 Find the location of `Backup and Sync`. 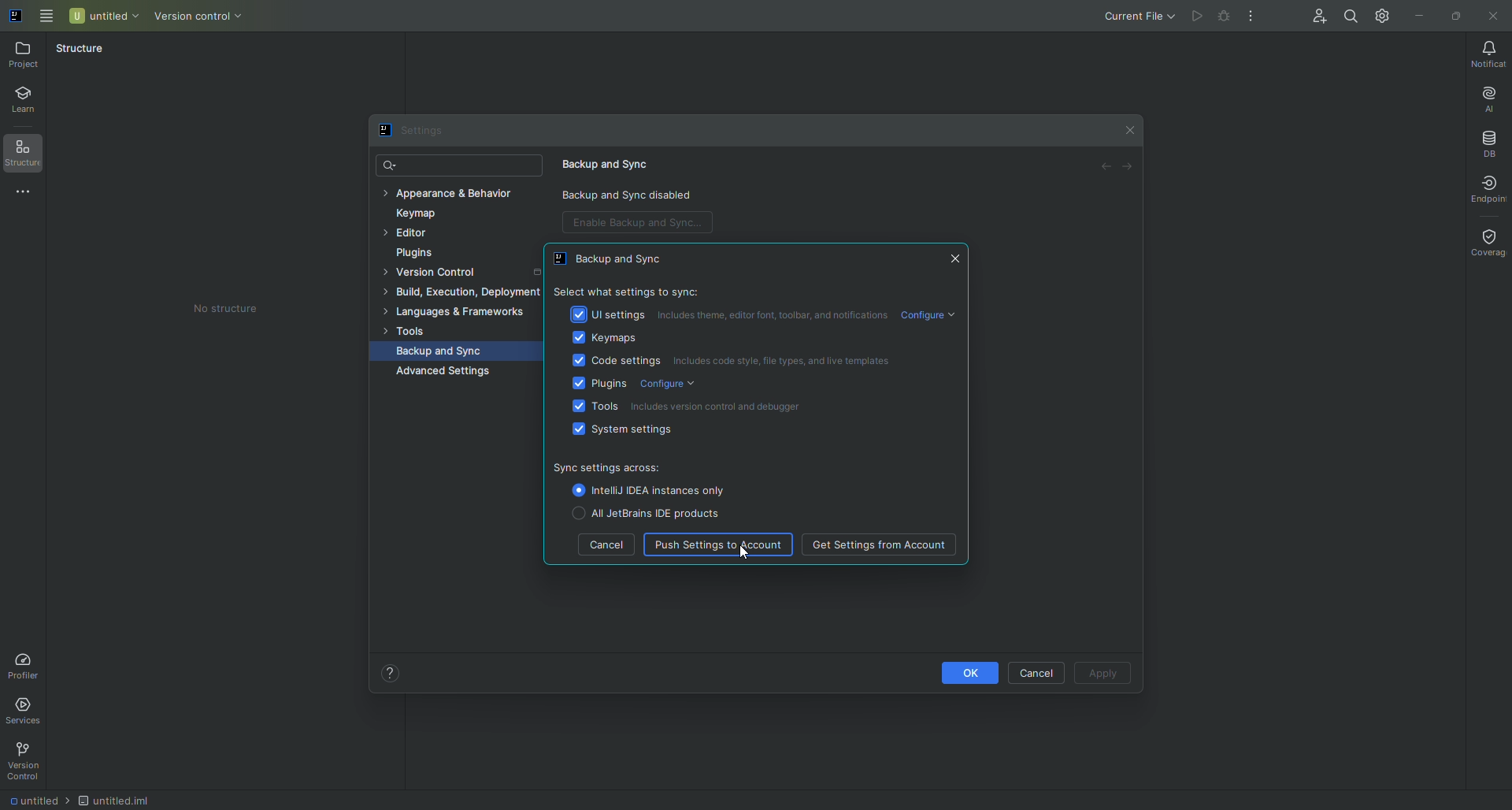

Backup and Sync is located at coordinates (618, 259).